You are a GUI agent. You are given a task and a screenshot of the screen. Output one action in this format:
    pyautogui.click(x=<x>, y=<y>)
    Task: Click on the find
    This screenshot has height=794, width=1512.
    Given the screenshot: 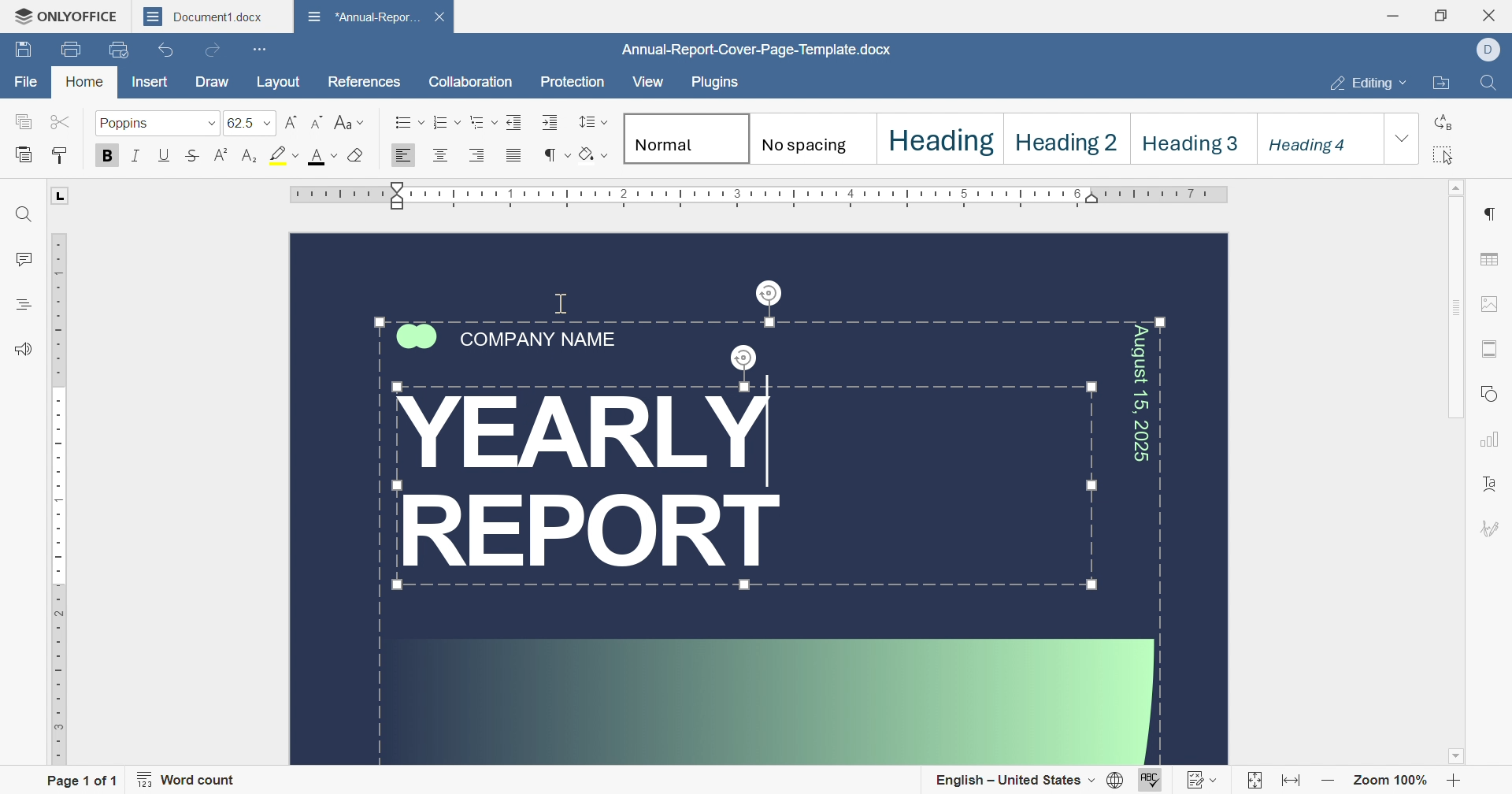 What is the action you would take?
    pyautogui.click(x=24, y=213)
    